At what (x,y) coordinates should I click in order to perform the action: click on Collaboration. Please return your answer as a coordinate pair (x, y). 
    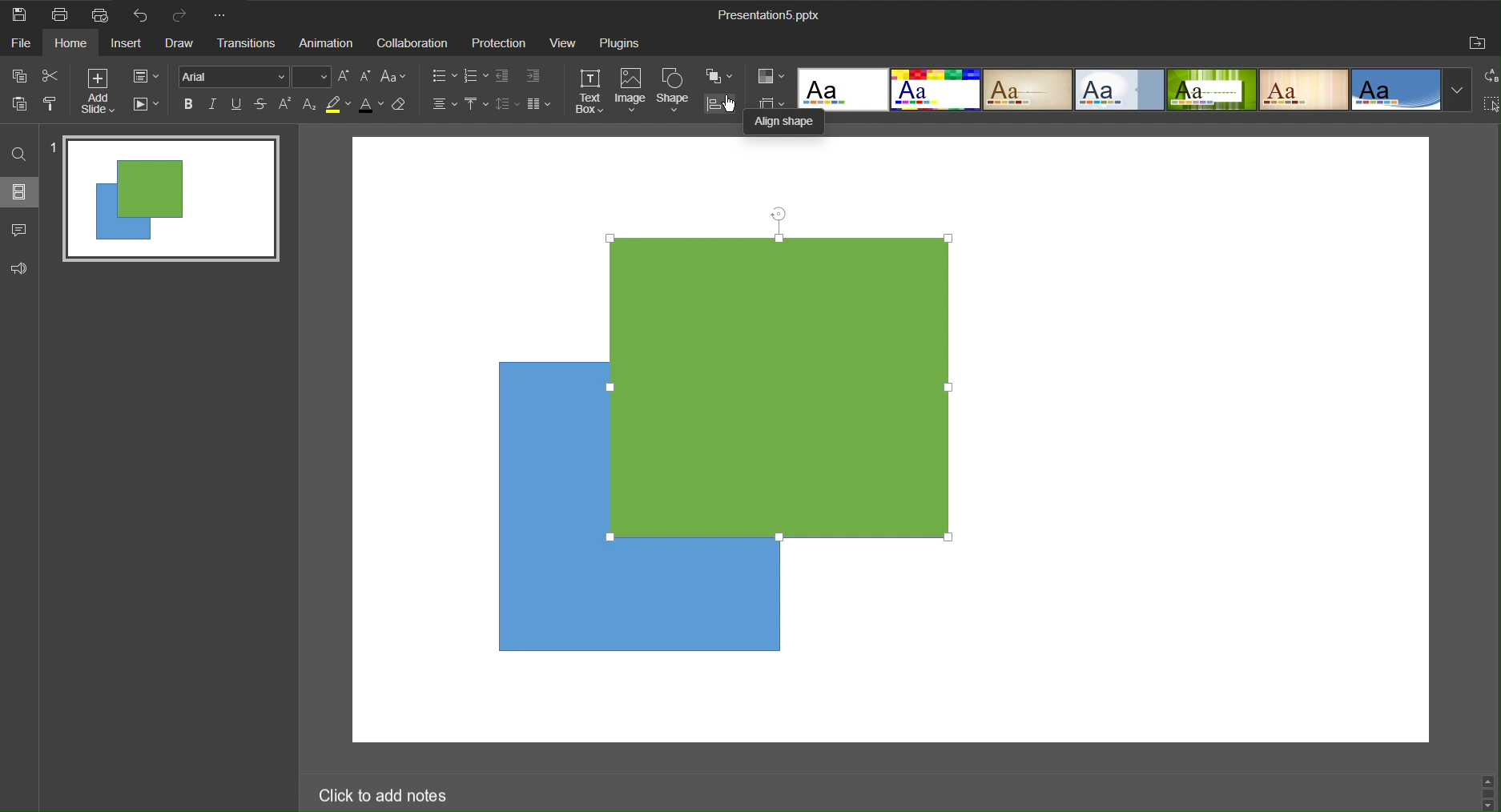
    Looking at the image, I should click on (413, 43).